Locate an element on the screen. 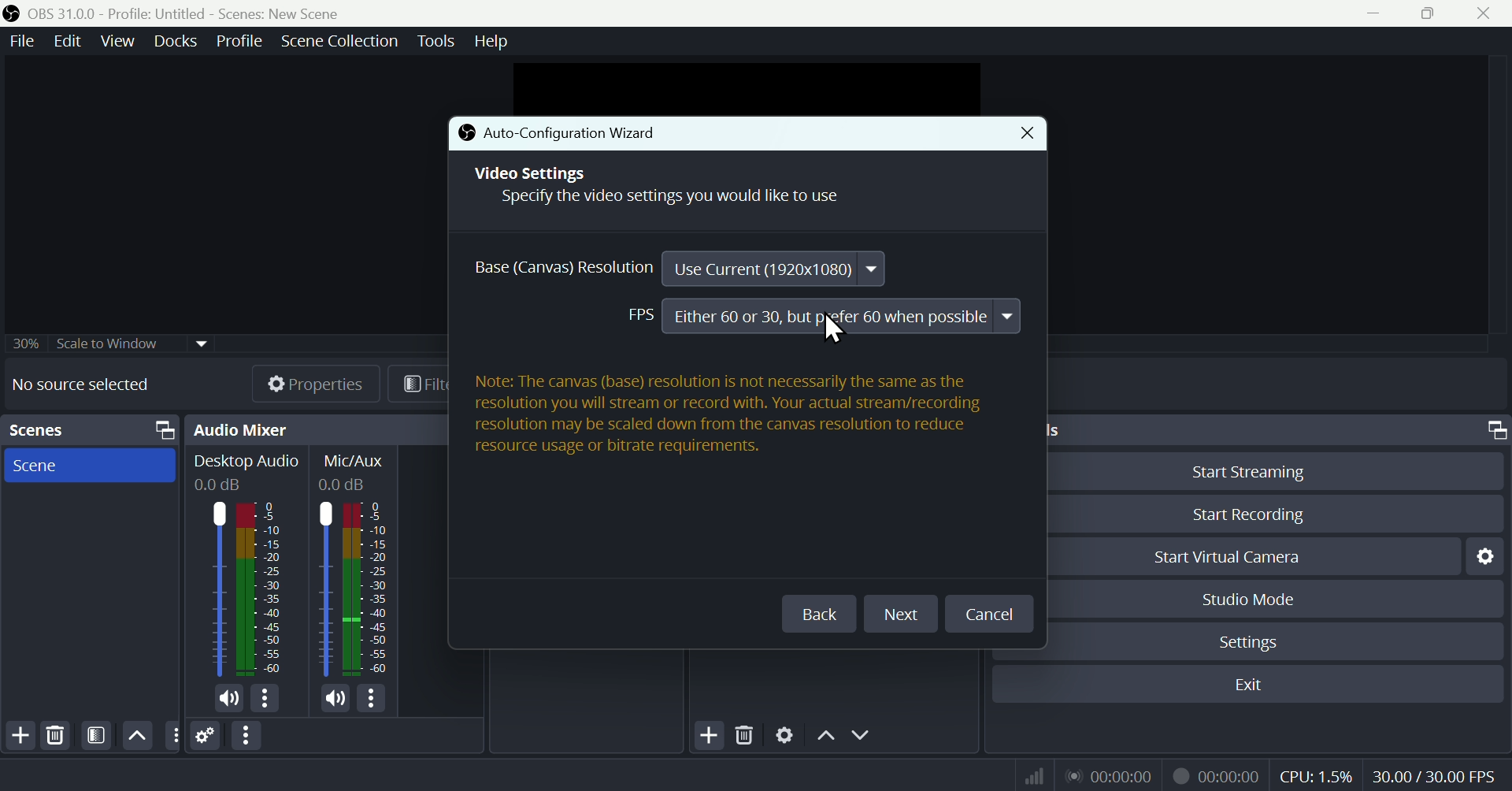  close is located at coordinates (1487, 13).